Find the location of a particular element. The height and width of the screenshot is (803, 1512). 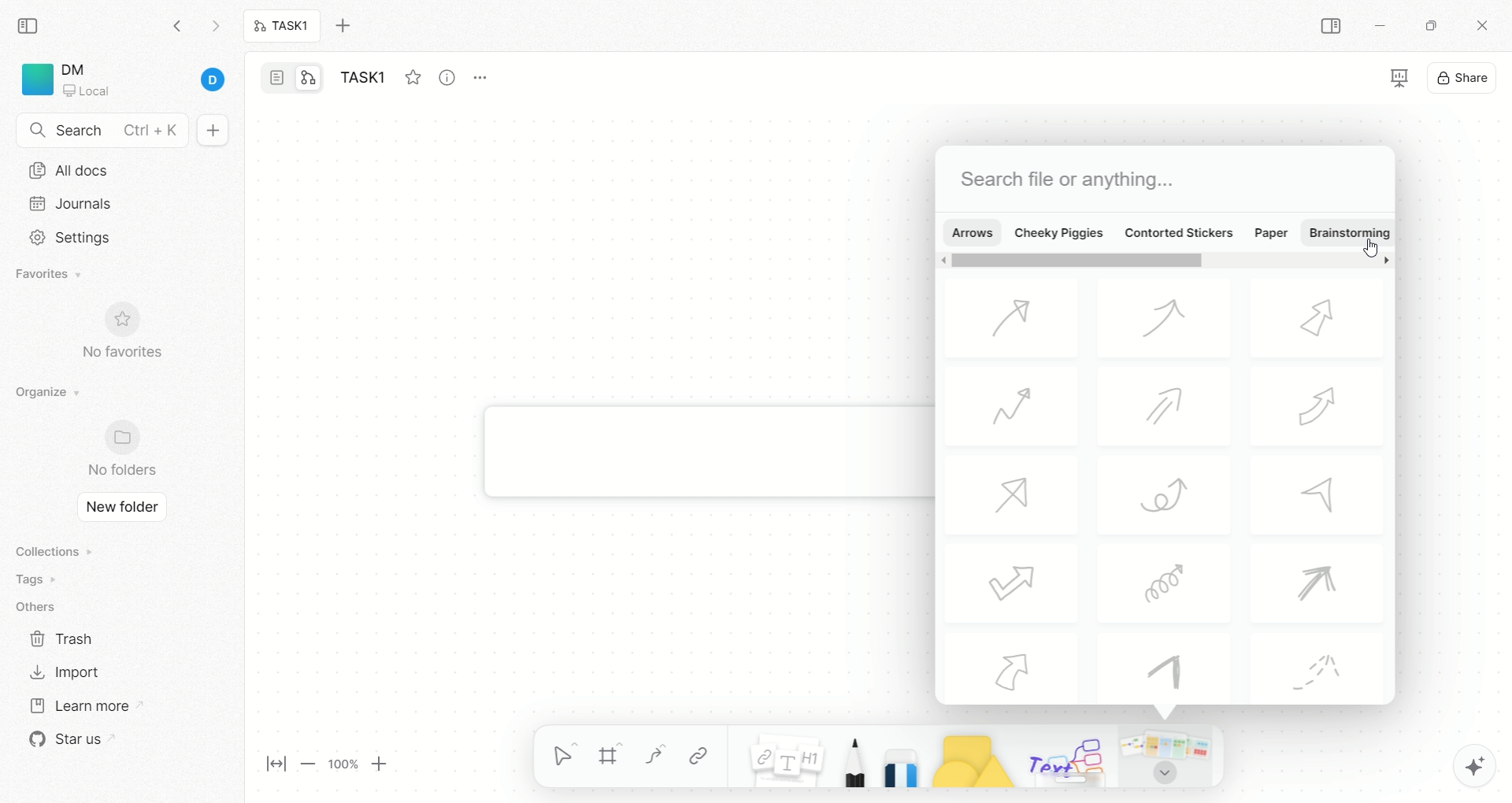

tags is located at coordinates (31, 579).